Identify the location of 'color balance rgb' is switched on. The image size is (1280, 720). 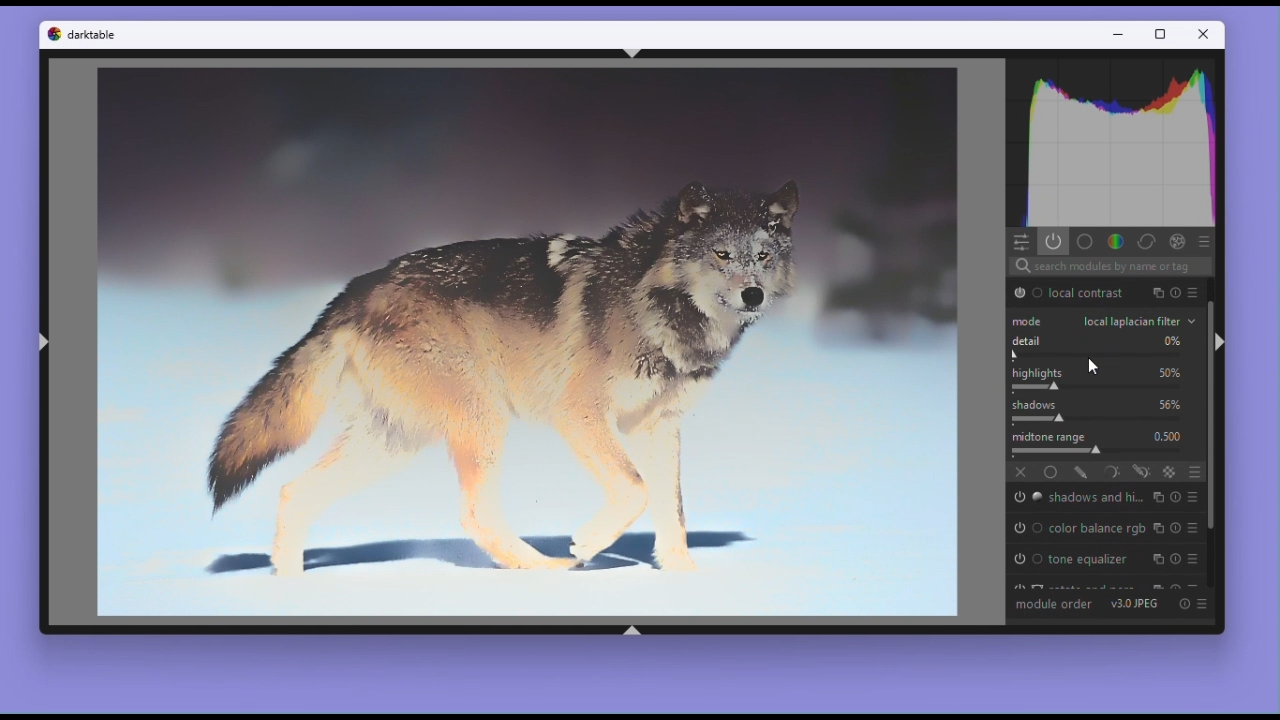
(1027, 529).